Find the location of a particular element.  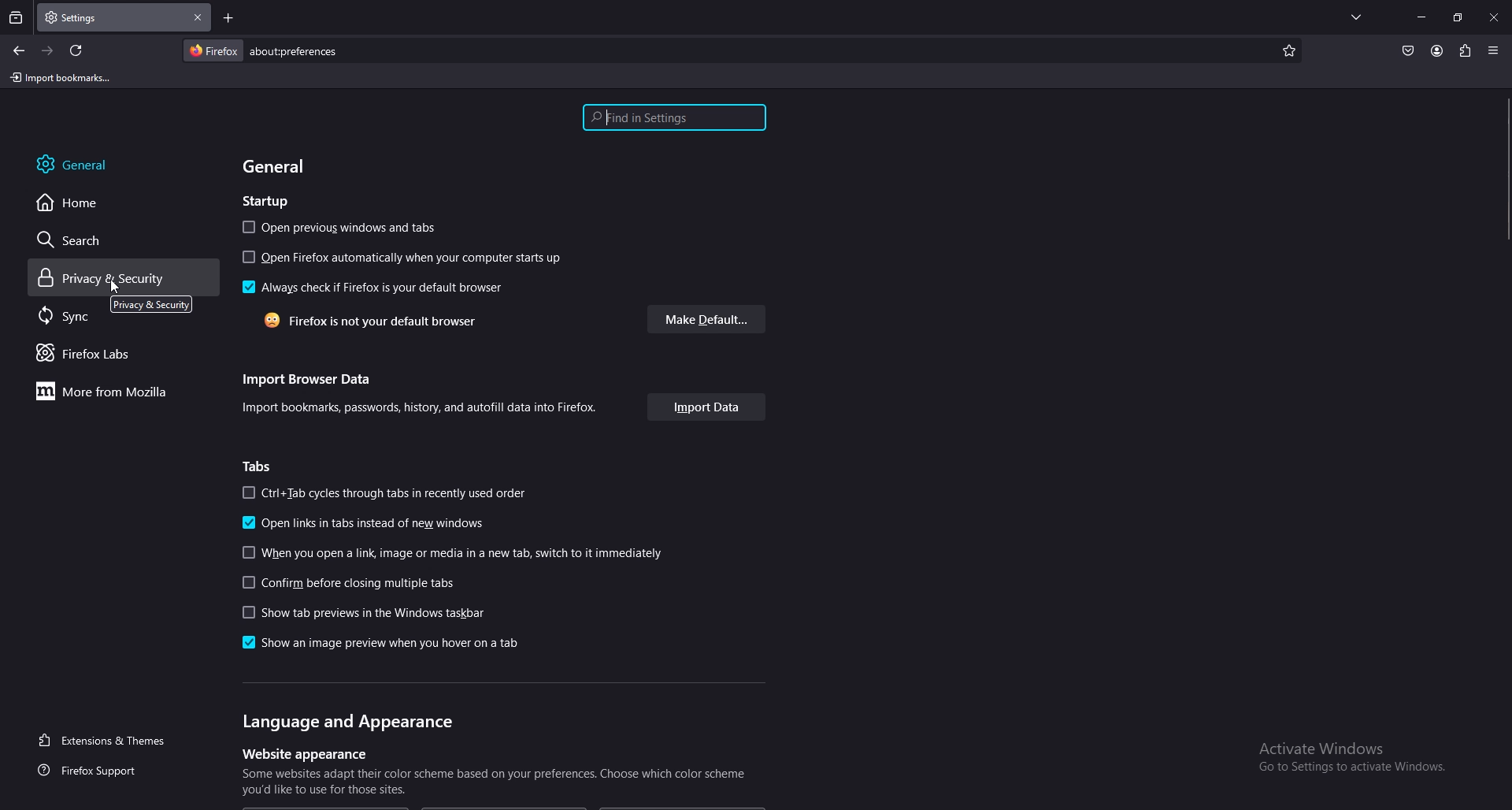

startup is located at coordinates (271, 200).